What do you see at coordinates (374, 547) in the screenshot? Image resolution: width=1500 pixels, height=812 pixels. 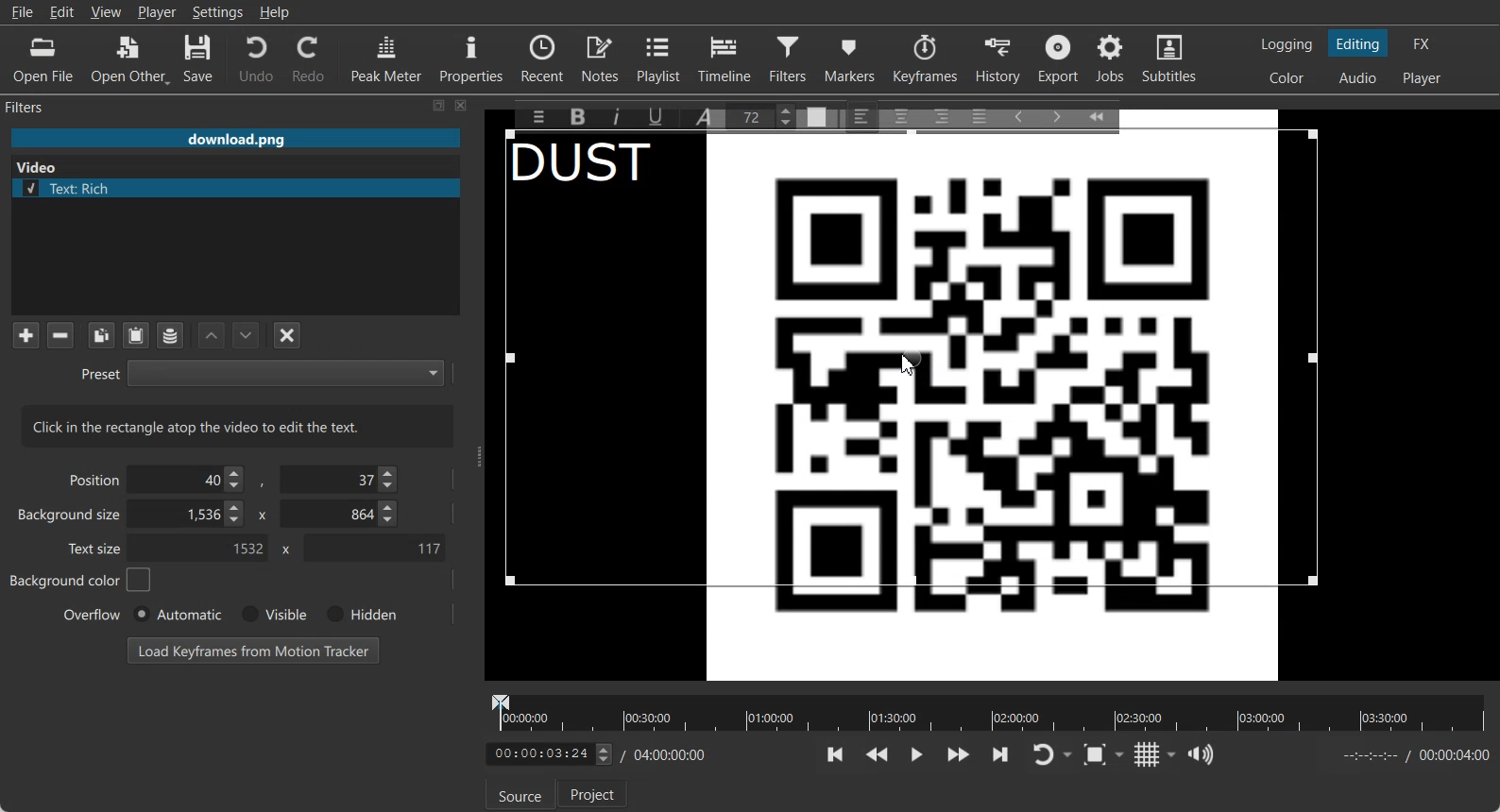 I see `Text Size Y- Coordinate` at bounding box center [374, 547].